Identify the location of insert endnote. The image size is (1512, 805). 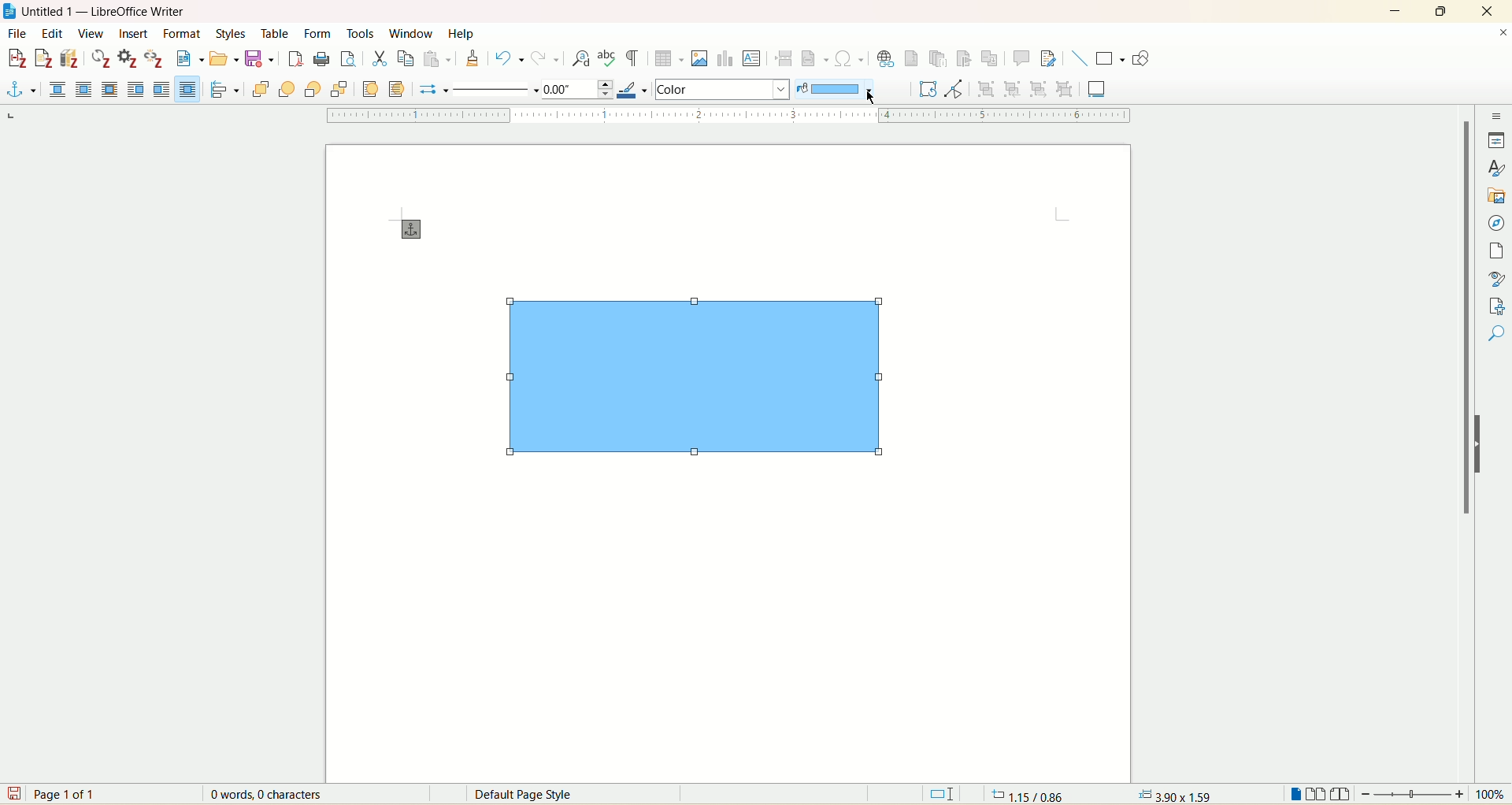
(939, 59).